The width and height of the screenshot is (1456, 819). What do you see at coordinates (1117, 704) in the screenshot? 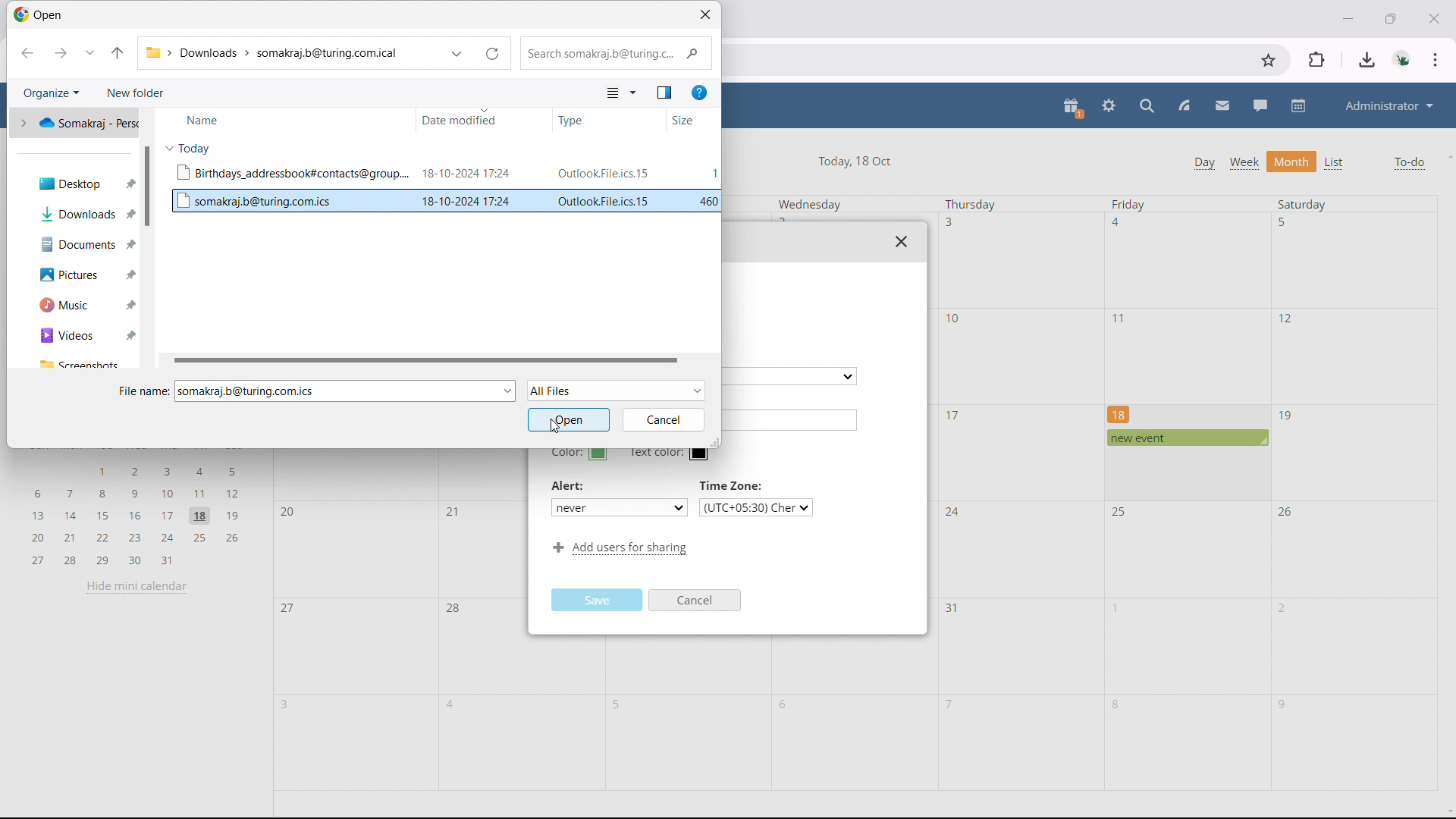
I see `8` at bounding box center [1117, 704].